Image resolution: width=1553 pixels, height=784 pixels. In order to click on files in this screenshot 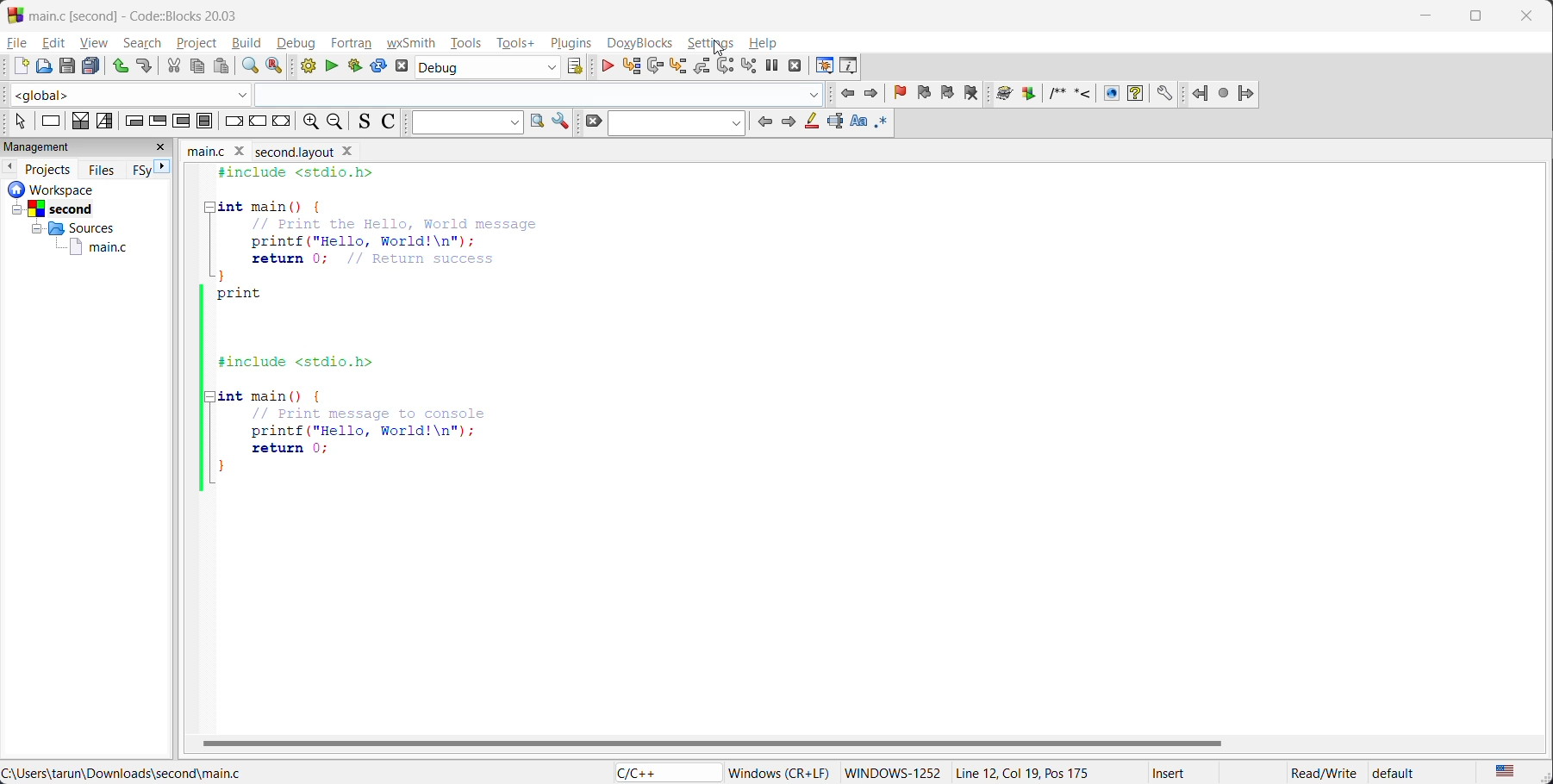, I will do `click(104, 172)`.